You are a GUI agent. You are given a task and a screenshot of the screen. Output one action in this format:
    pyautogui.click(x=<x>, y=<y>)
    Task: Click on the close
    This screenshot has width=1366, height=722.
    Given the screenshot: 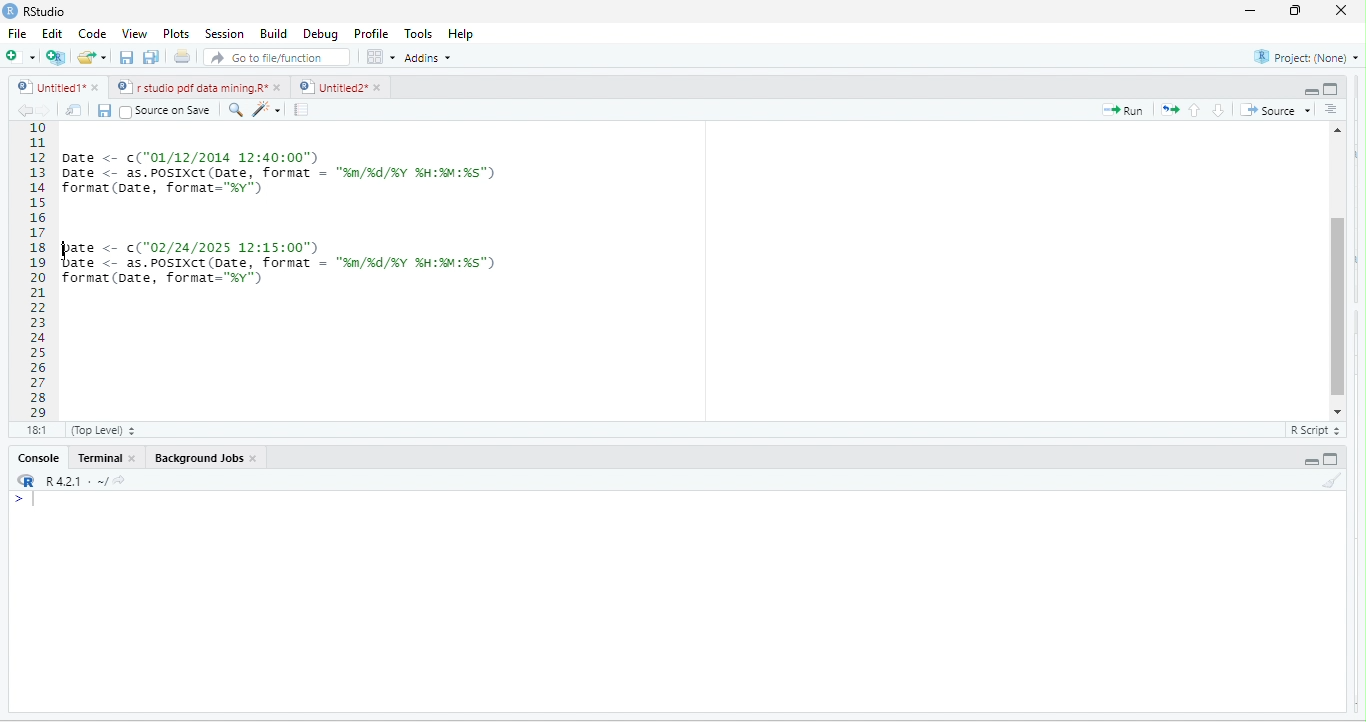 What is the action you would take?
    pyautogui.click(x=137, y=461)
    